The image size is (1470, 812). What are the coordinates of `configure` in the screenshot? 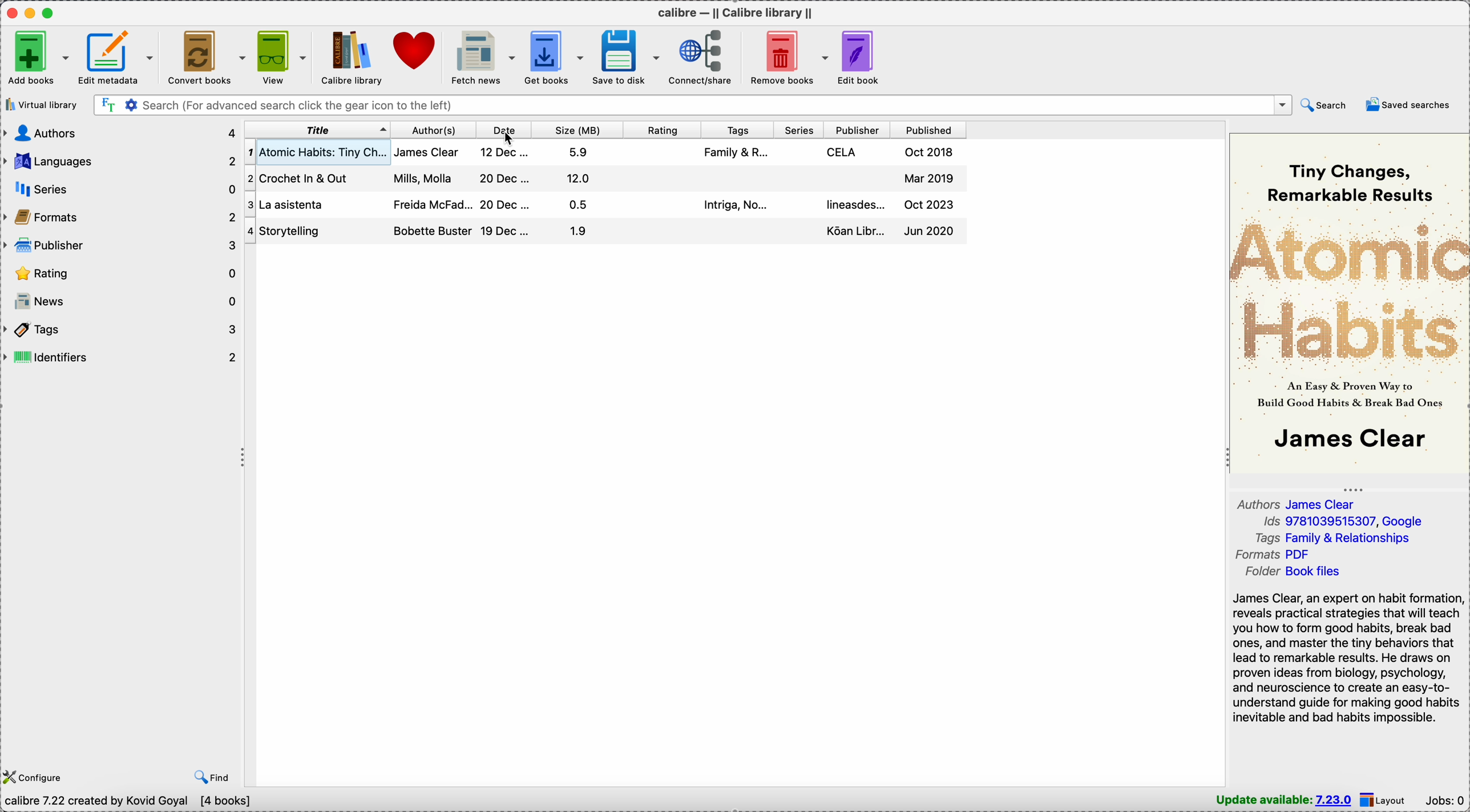 It's located at (35, 775).